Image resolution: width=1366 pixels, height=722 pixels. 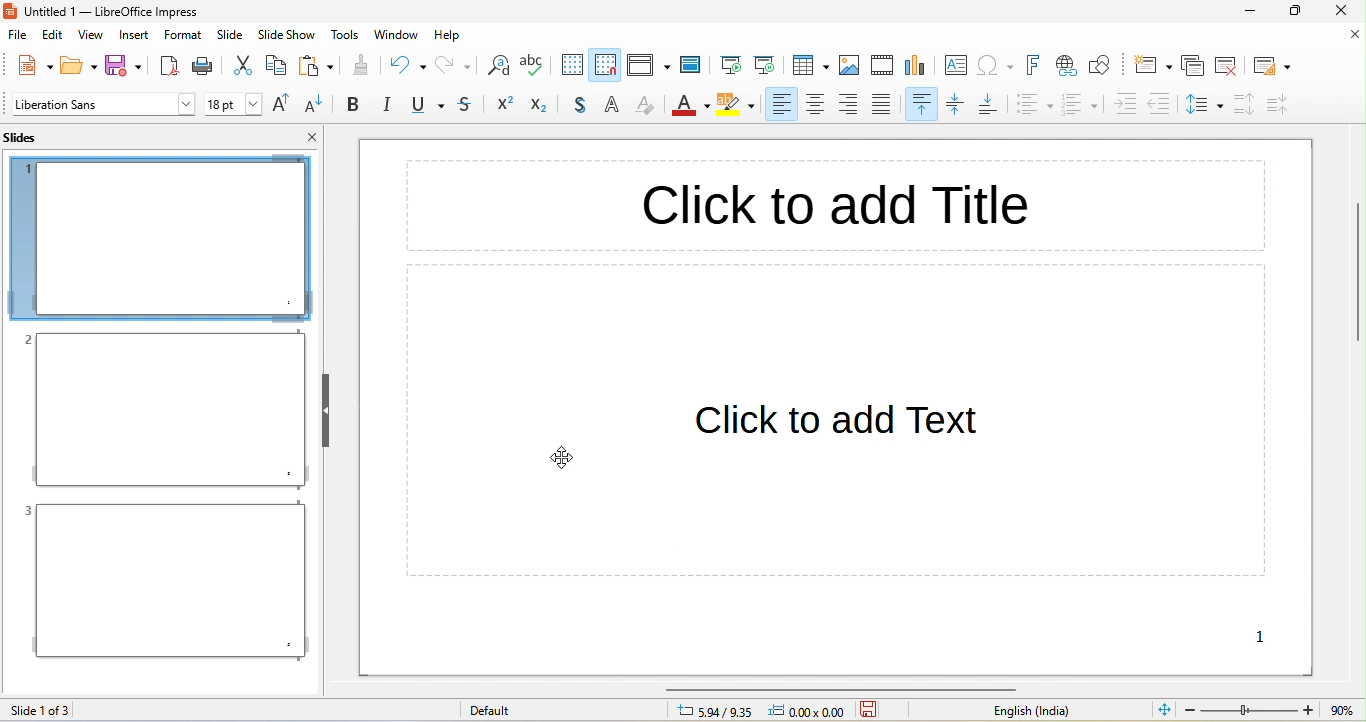 What do you see at coordinates (361, 65) in the screenshot?
I see `clone formatting` at bounding box center [361, 65].